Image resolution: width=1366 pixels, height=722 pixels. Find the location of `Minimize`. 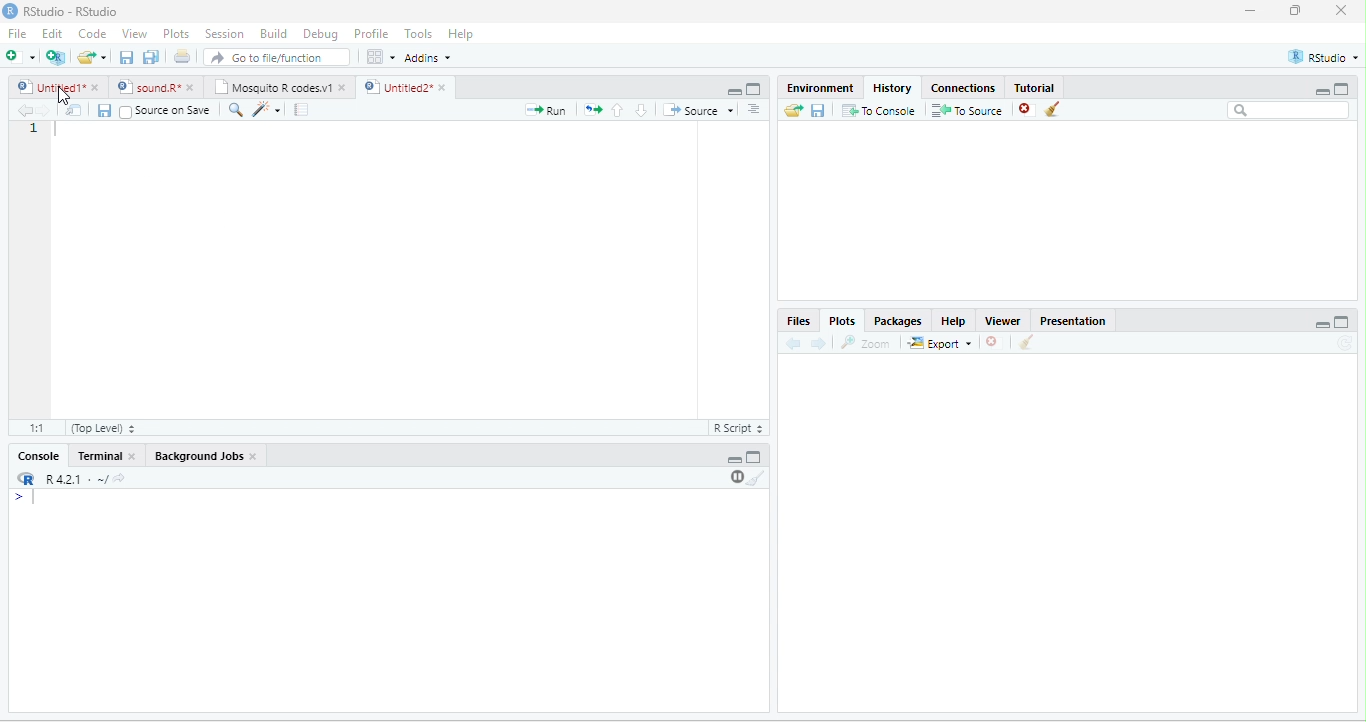

Minimize is located at coordinates (1322, 326).